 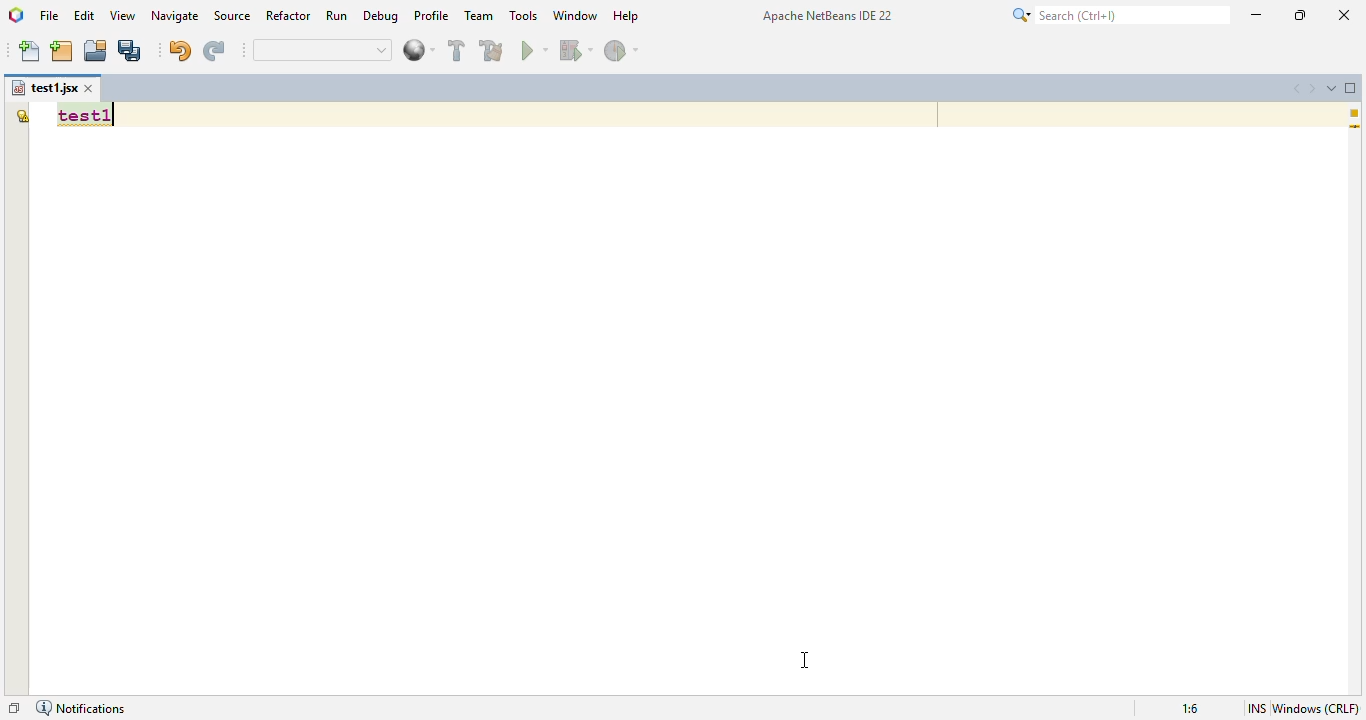 What do you see at coordinates (80, 708) in the screenshot?
I see `notifications` at bounding box center [80, 708].